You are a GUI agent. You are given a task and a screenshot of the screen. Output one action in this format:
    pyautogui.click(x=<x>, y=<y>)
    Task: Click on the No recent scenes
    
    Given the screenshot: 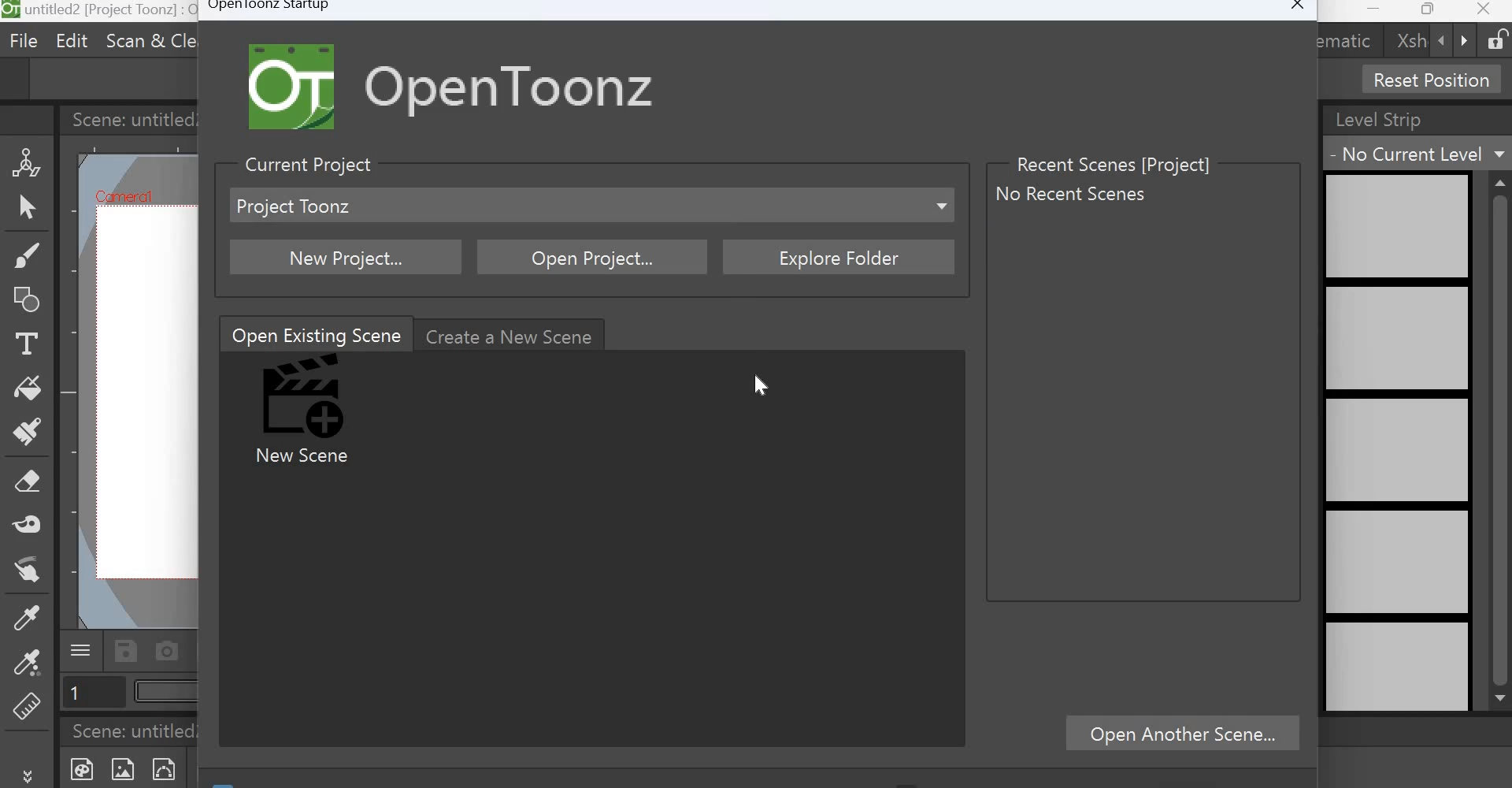 What is the action you would take?
    pyautogui.click(x=1072, y=195)
    